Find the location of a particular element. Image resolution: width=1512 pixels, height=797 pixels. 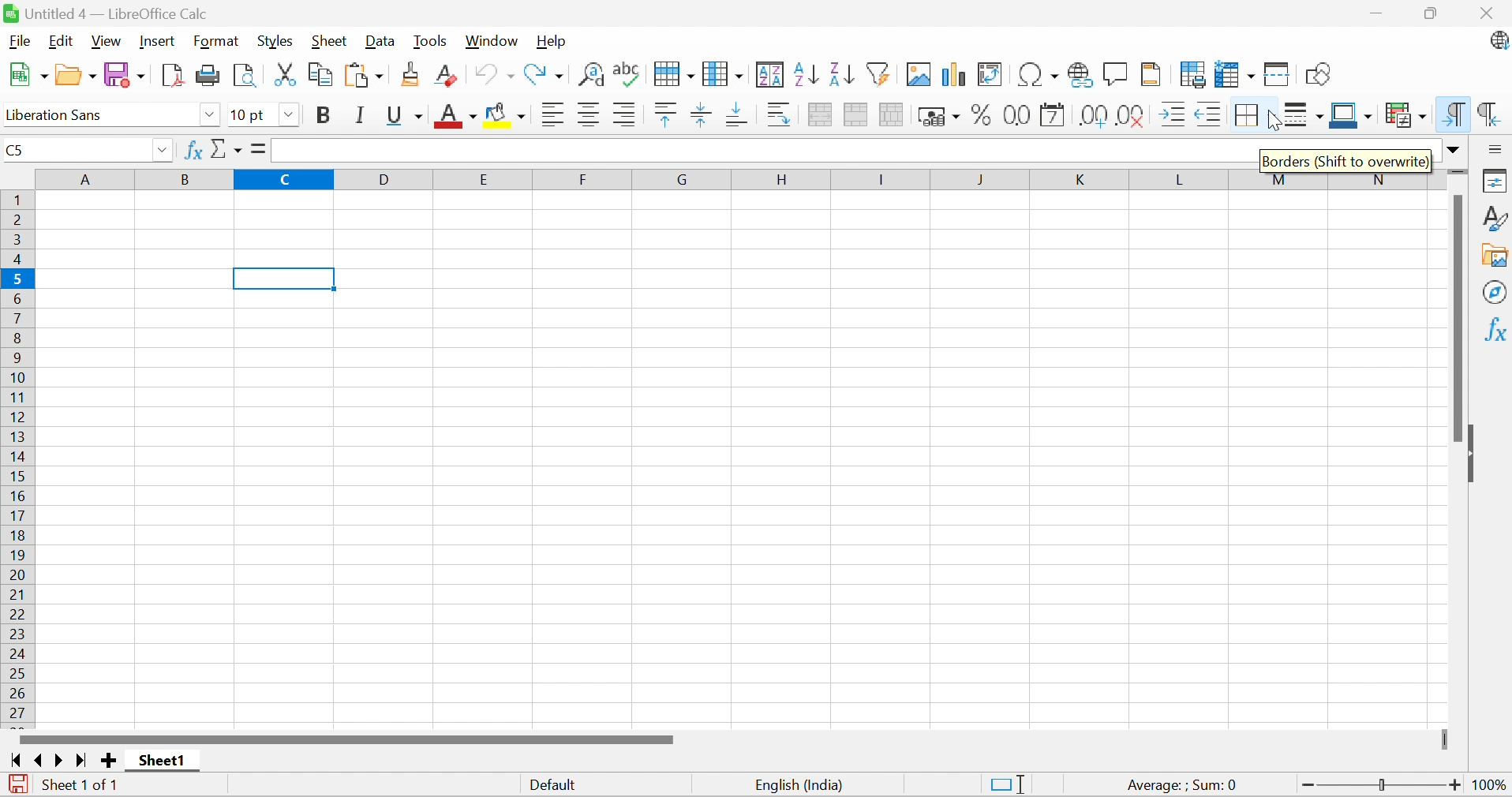

Scroll to previous sheet is located at coordinates (39, 759).